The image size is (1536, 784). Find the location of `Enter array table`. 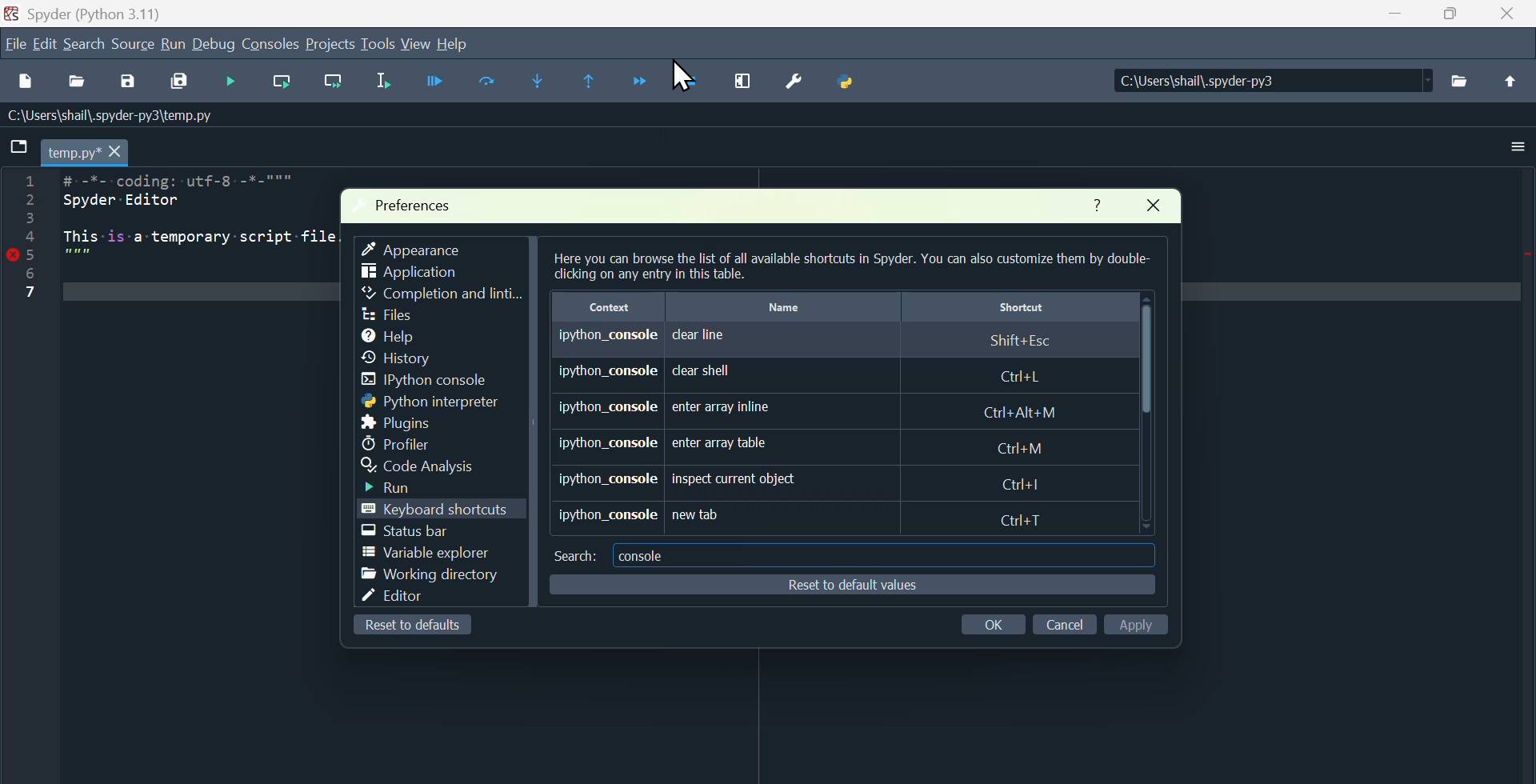

Enter array table is located at coordinates (804, 440).